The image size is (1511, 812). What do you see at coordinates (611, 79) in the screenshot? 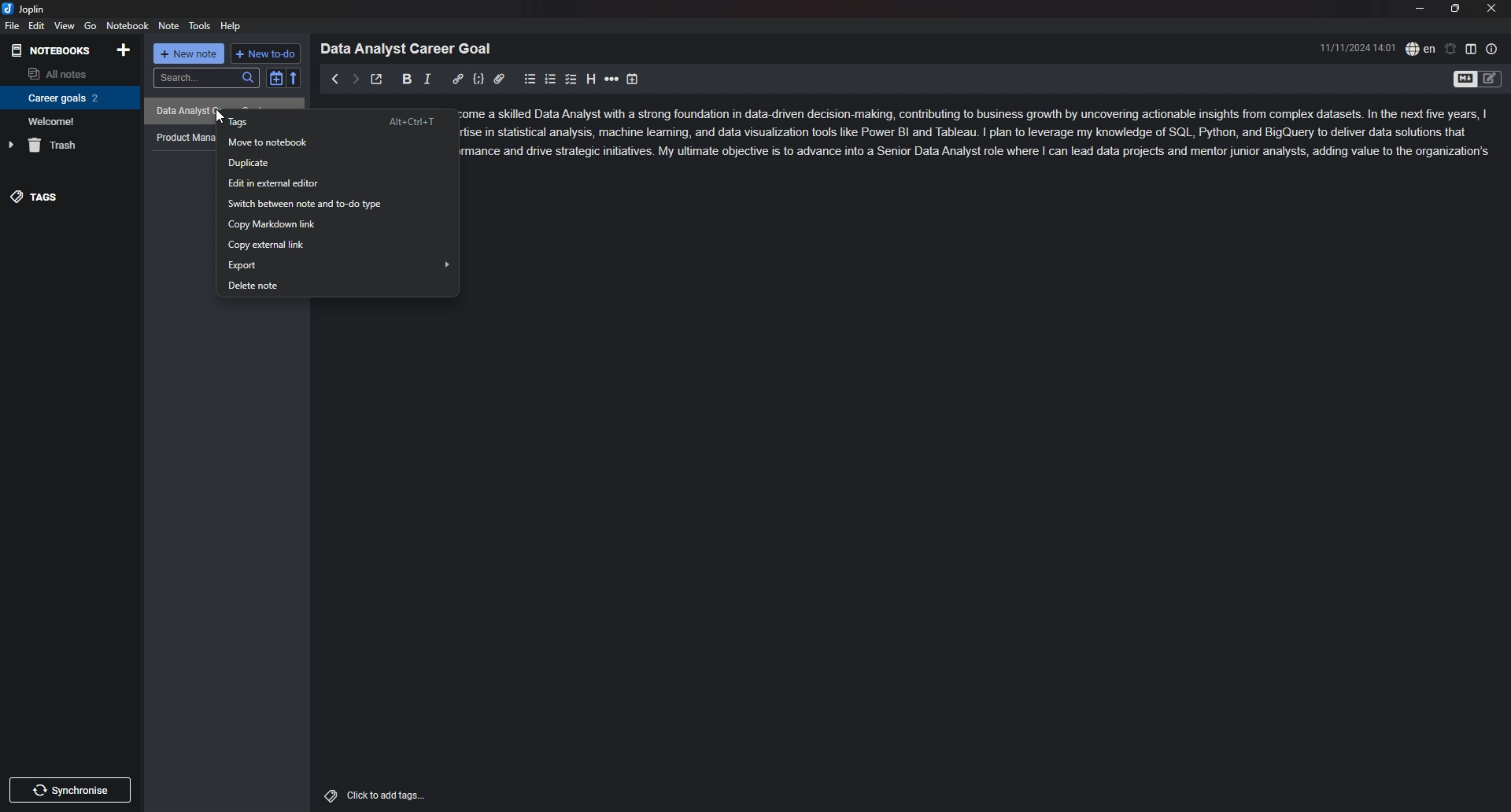
I see `horizontal rule` at bounding box center [611, 79].